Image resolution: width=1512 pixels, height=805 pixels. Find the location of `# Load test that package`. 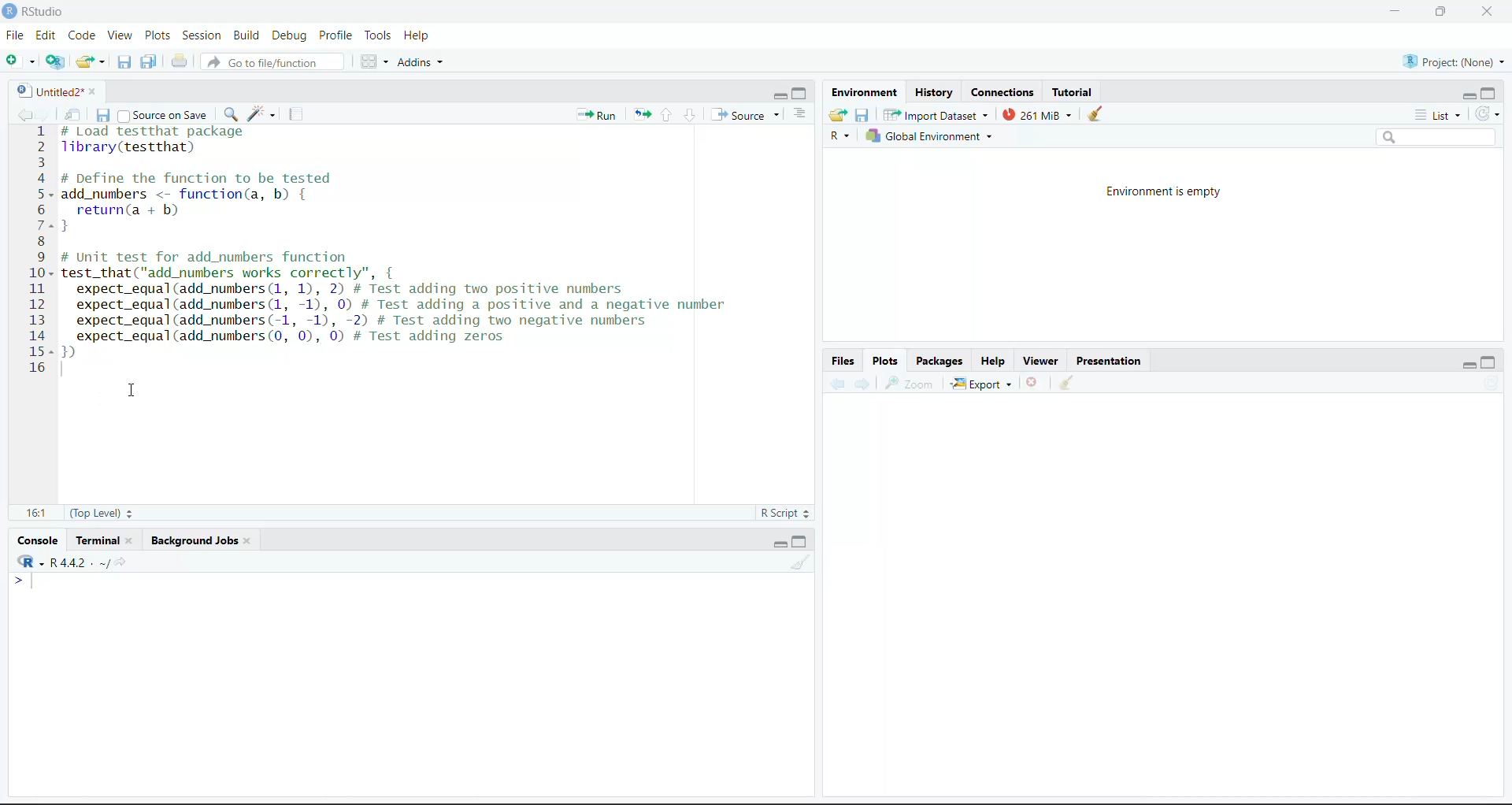

# Load test that package is located at coordinates (153, 131).